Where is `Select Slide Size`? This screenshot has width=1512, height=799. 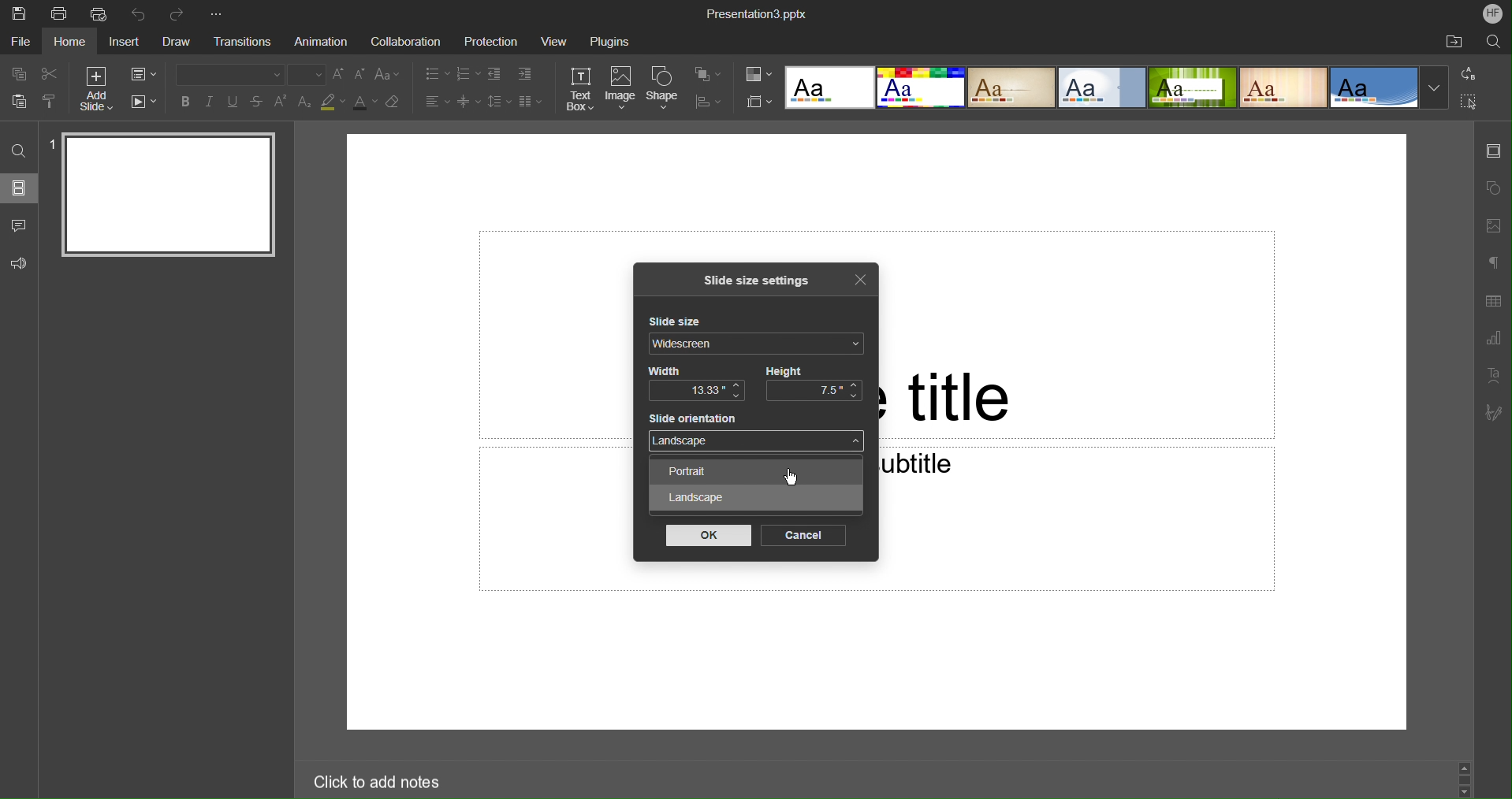
Select Slide Size is located at coordinates (759, 102).